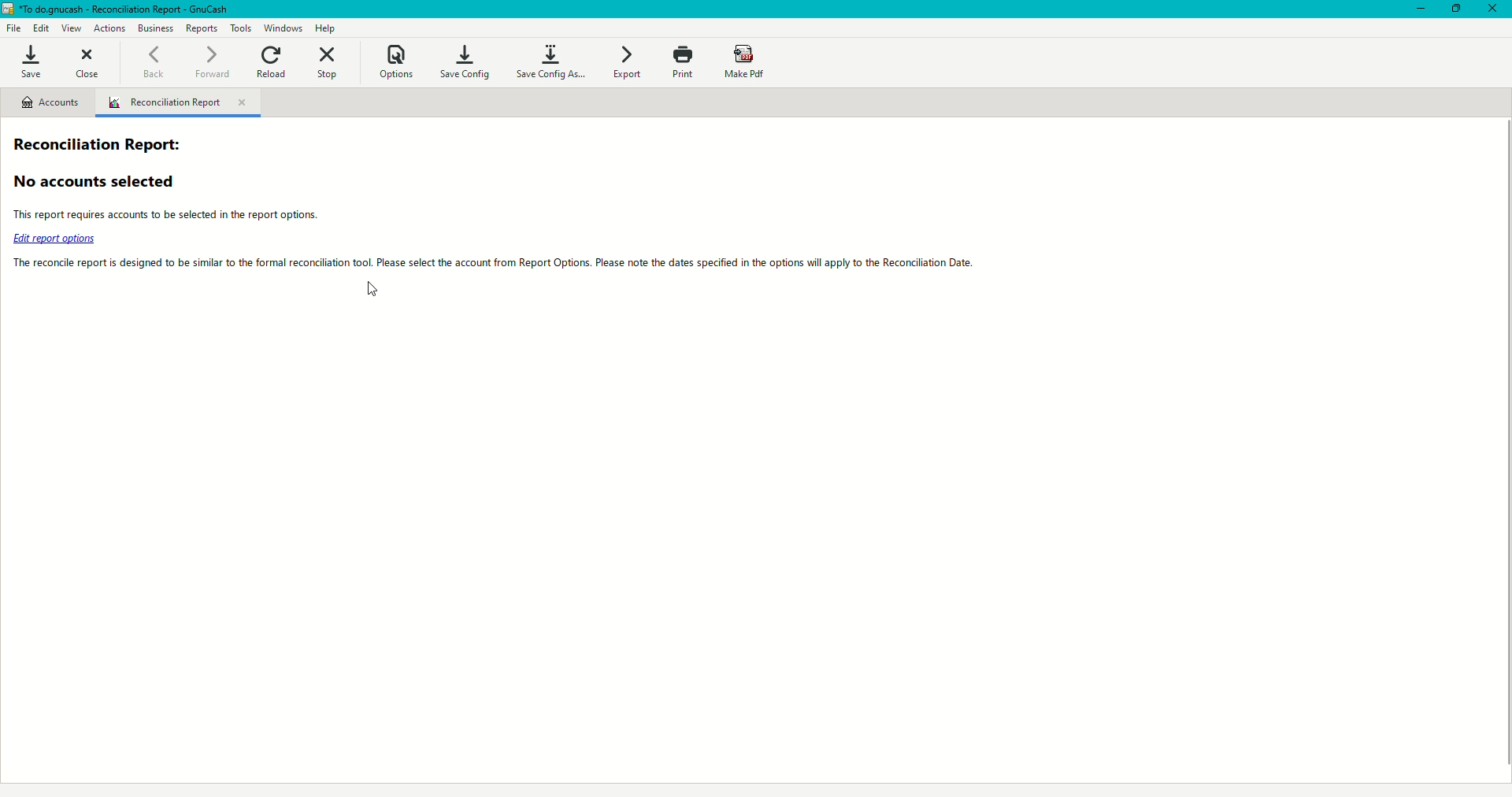 The image size is (1512, 797). Describe the element at coordinates (210, 61) in the screenshot. I see `Forward` at that location.